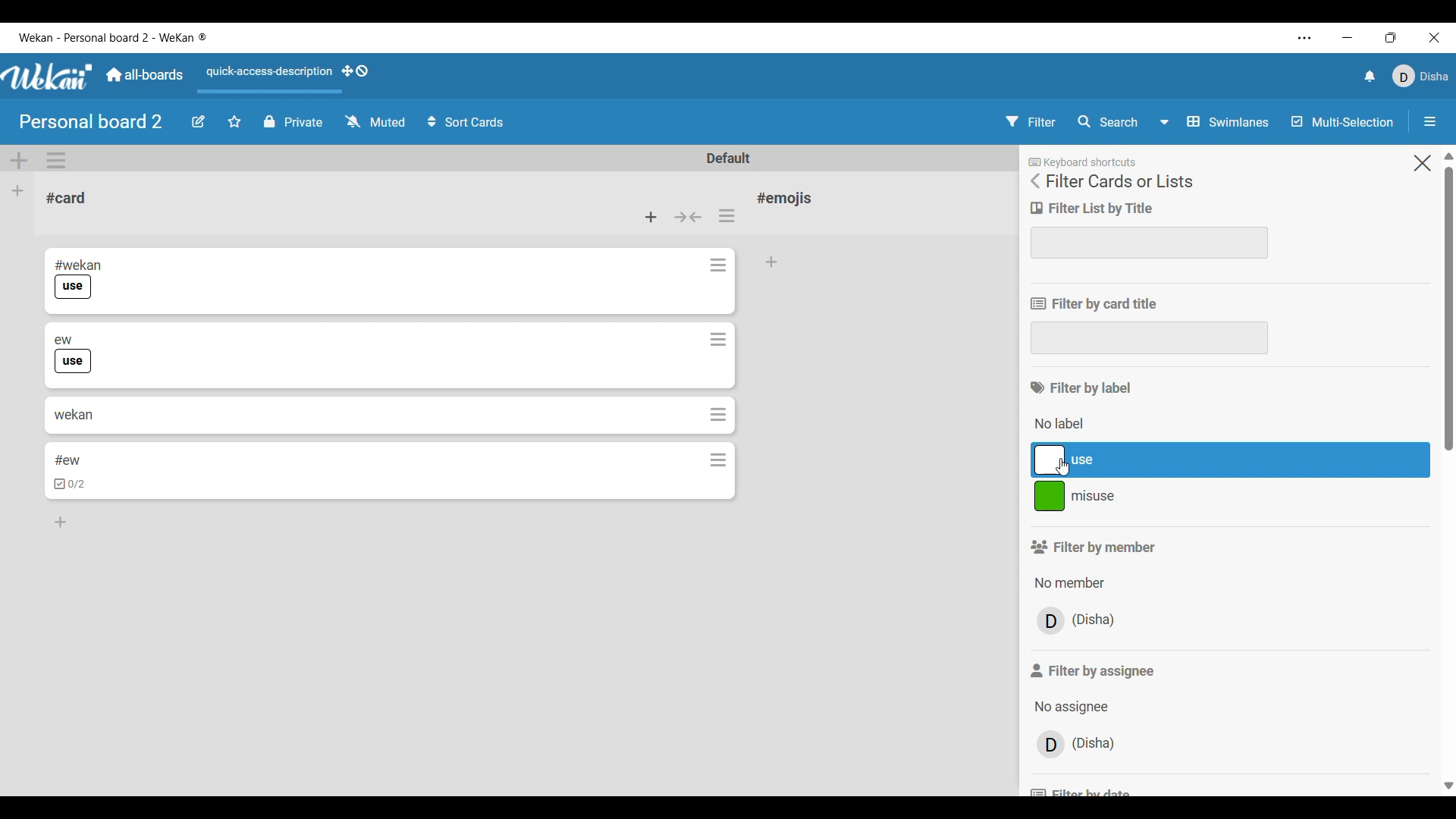  What do you see at coordinates (1423, 163) in the screenshot?
I see `Close setting` at bounding box center [1423, 163].